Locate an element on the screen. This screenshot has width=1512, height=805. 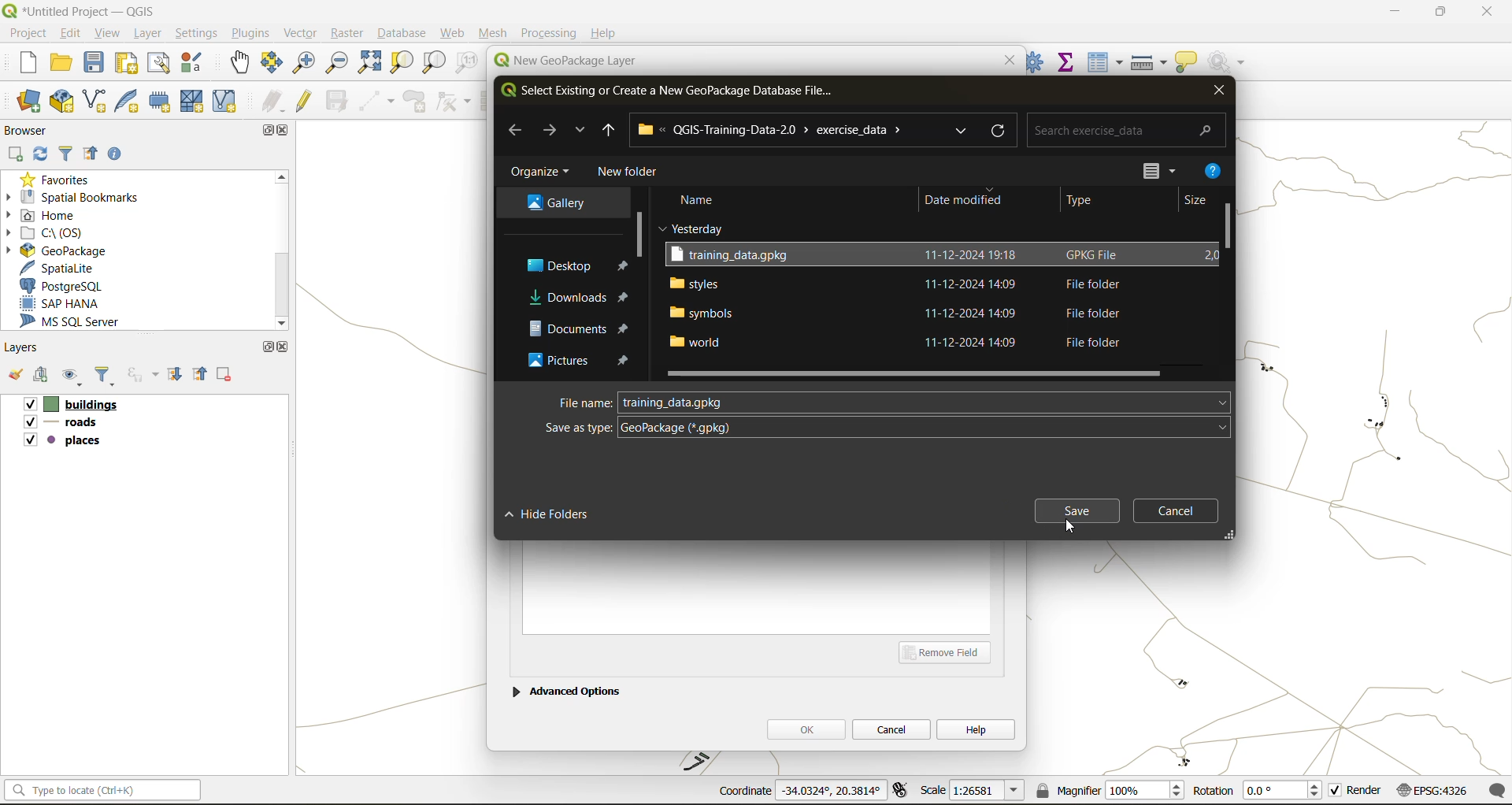
new spatialite is located at coordinates (130, 105).